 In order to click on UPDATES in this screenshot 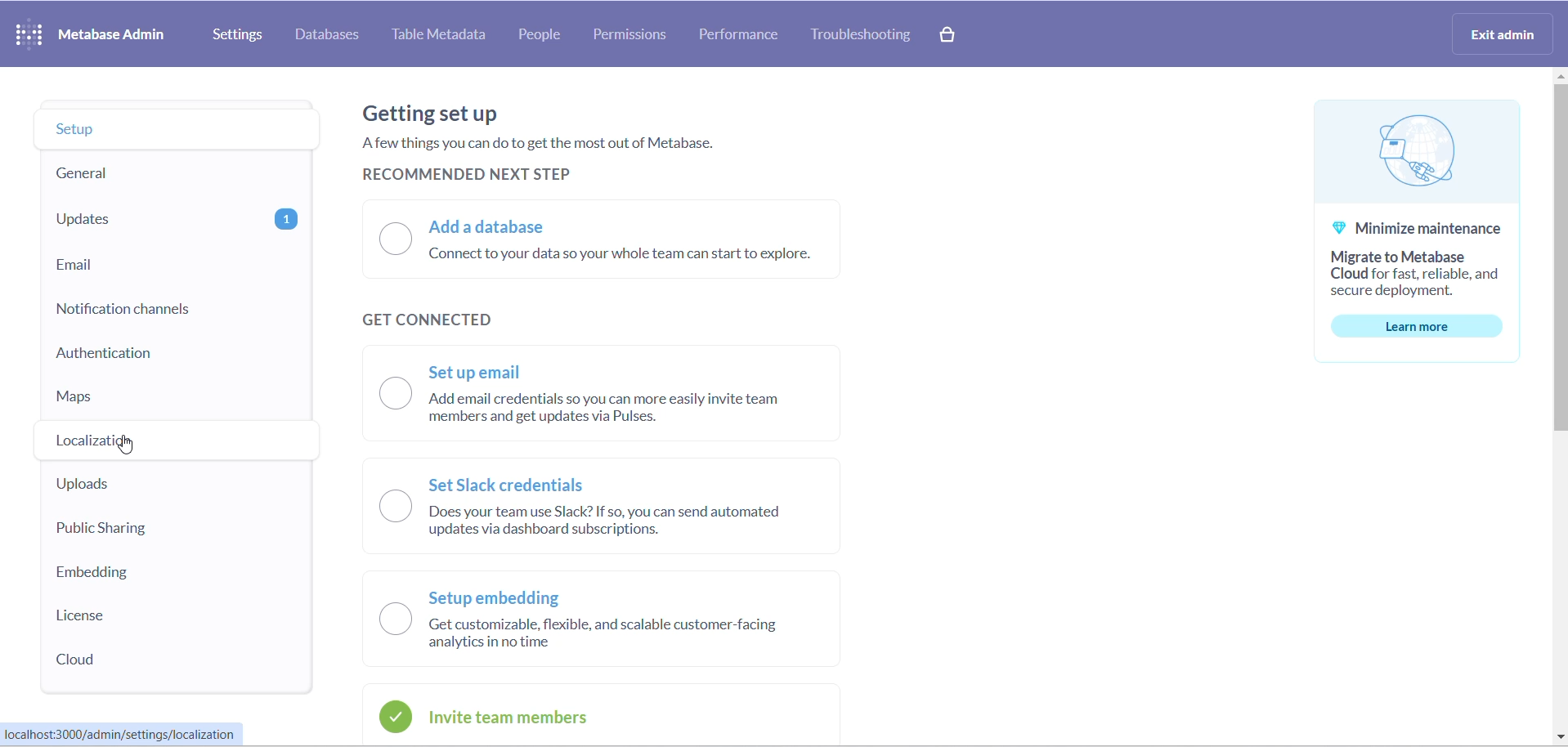, I will do `click(176, 220)`.